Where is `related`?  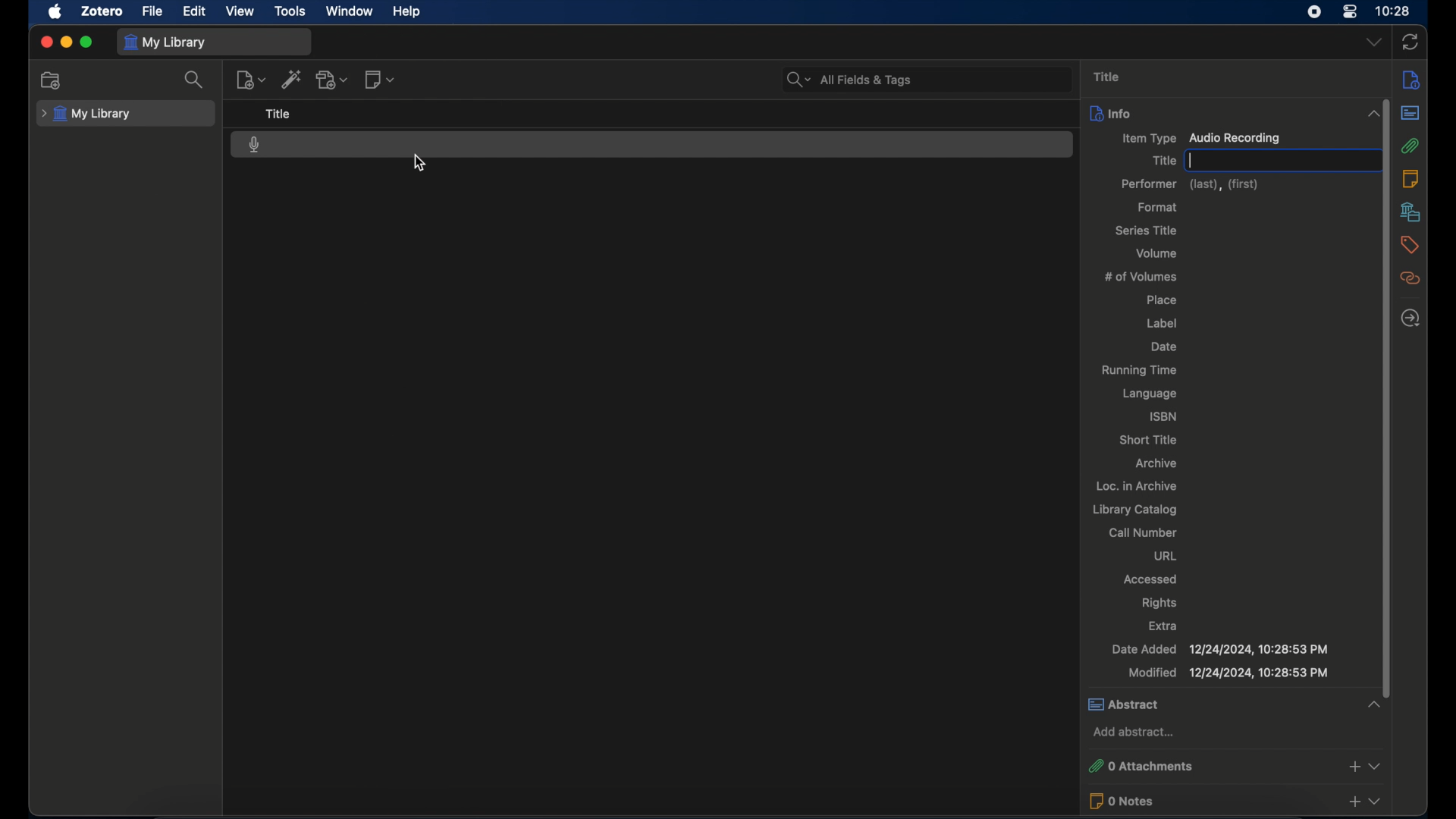
related is located at coordinates (1414, 278).